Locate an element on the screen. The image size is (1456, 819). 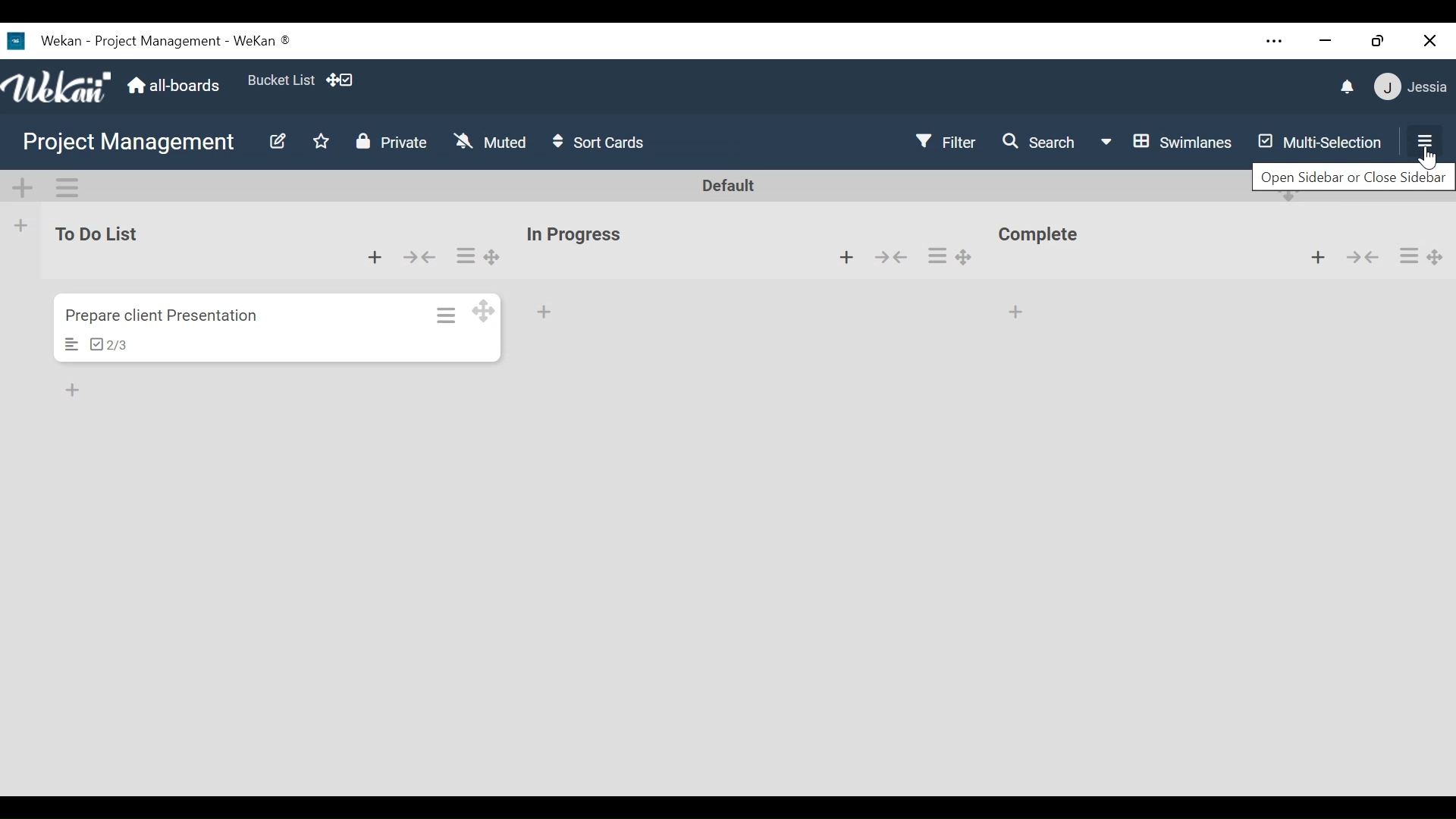
Add card to top of the list is located at coordinates (1317, 259).